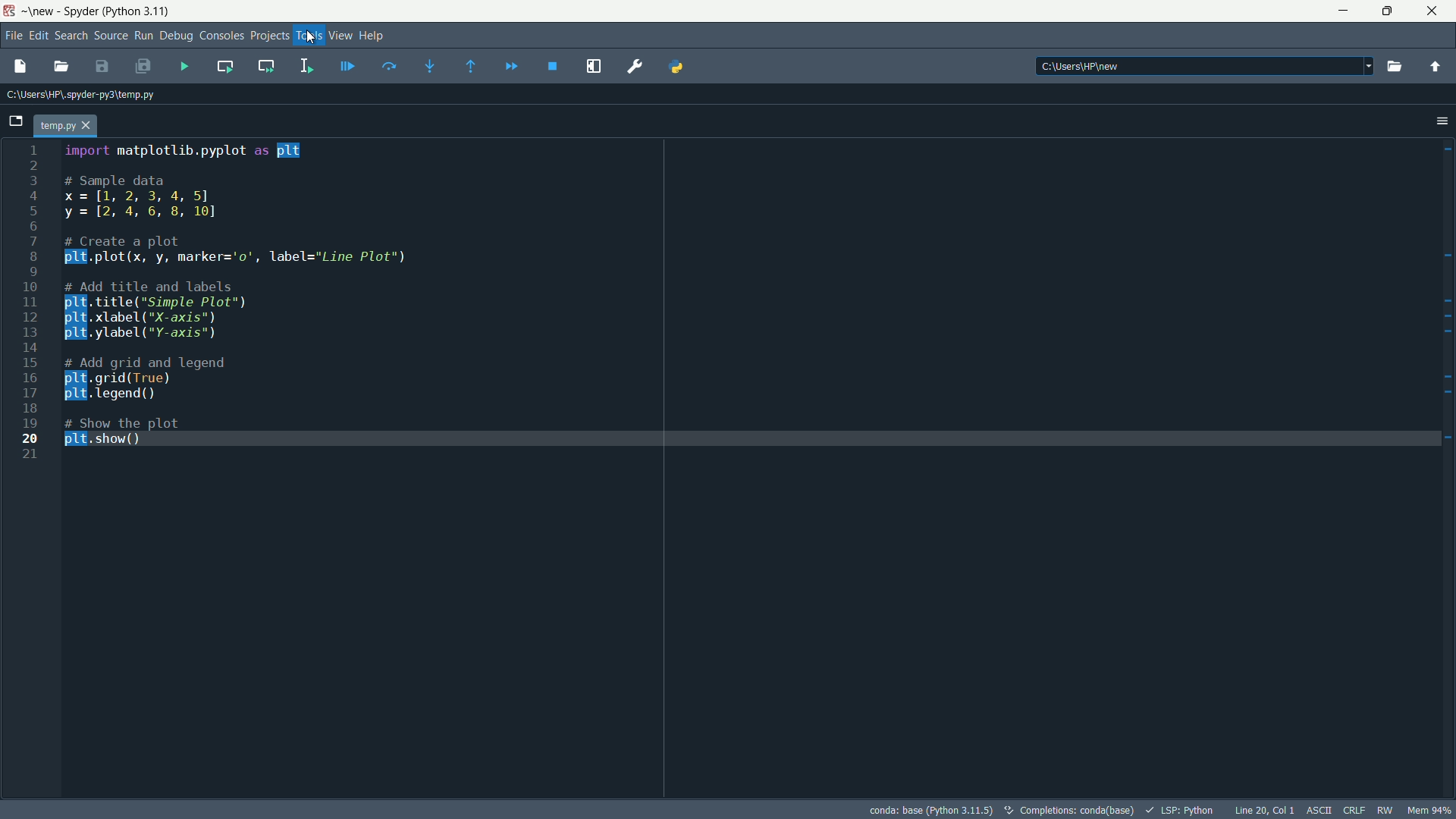  I want to click on help, so click(374, 36).